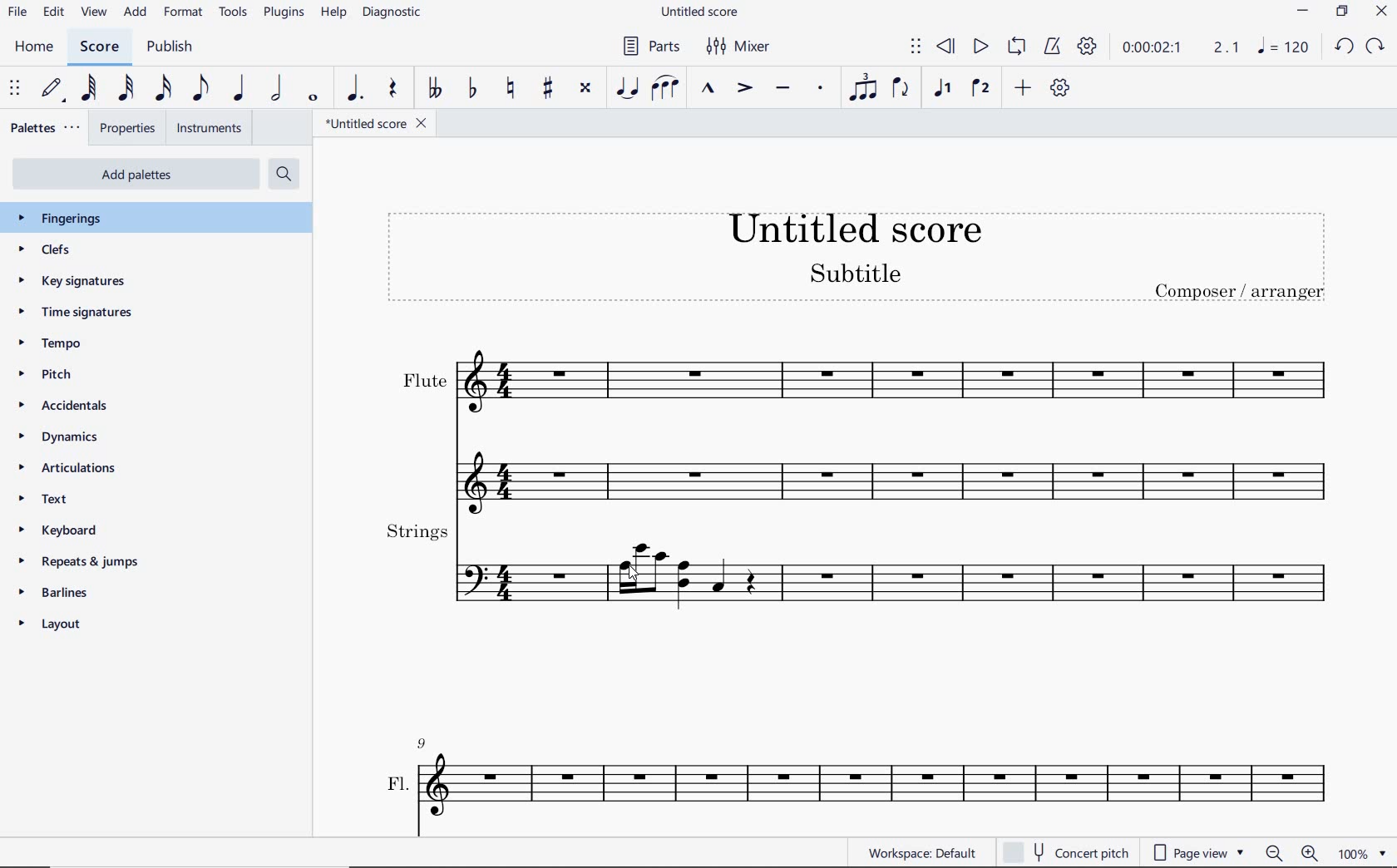 This screenshot has height=868, width=1397. What do you see at coordinates (91, 86) in the screenshot?
I see `64th note` at bounding box center [91, 86].